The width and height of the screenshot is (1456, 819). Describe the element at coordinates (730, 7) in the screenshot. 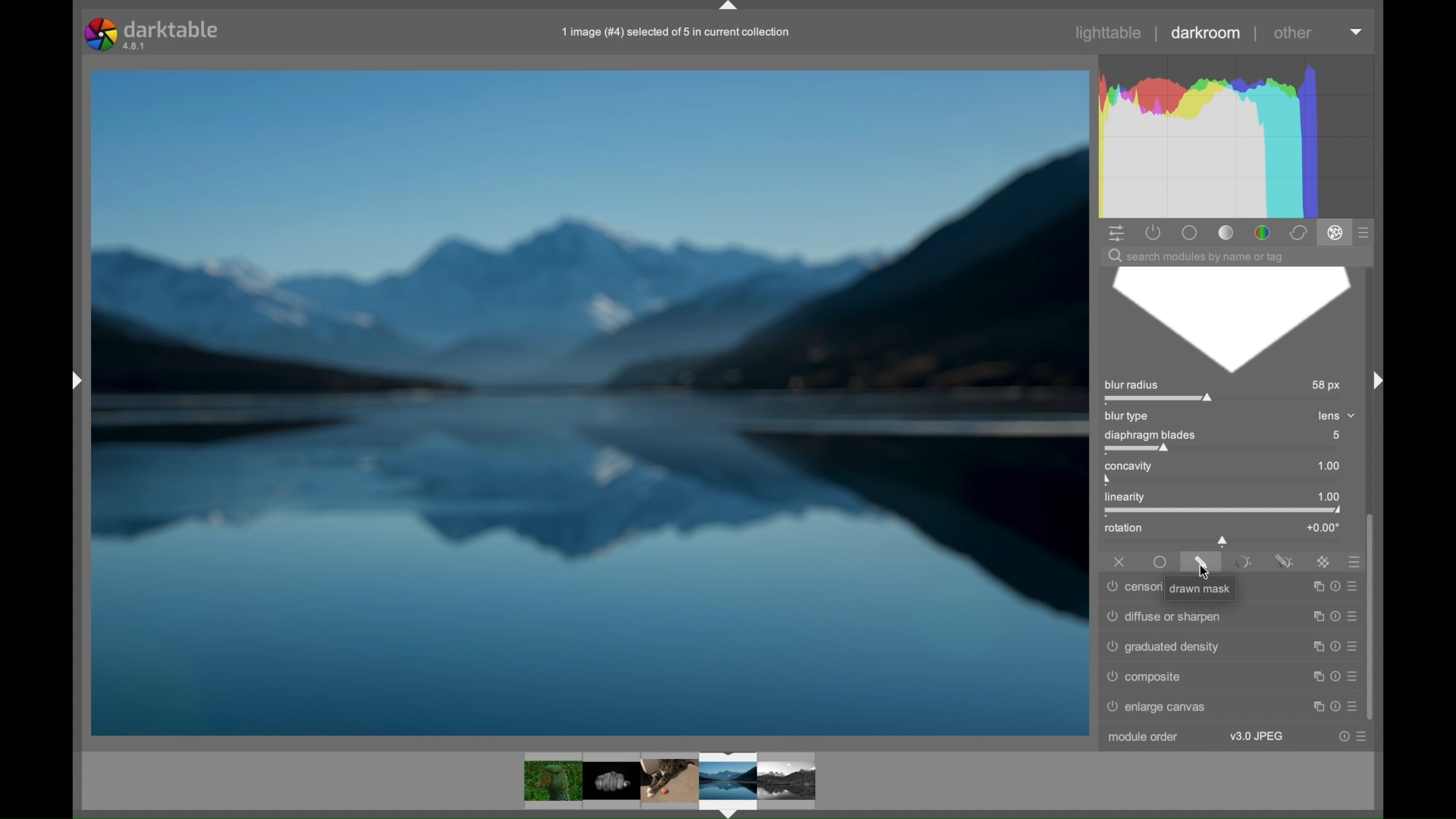

I see `drag handle` at that location.